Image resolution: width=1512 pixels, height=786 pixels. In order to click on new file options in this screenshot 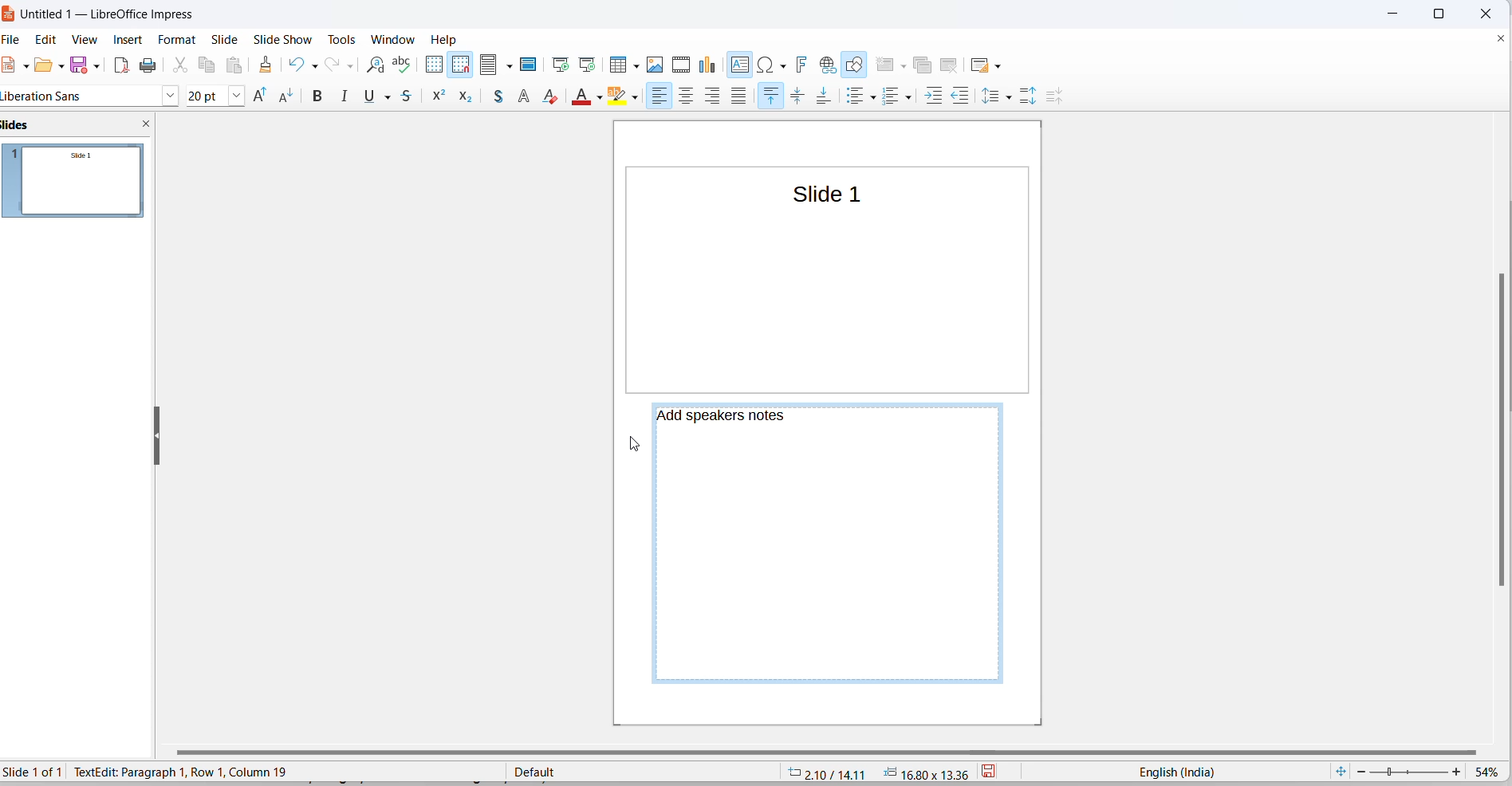, I will do `click(25, 69)`.